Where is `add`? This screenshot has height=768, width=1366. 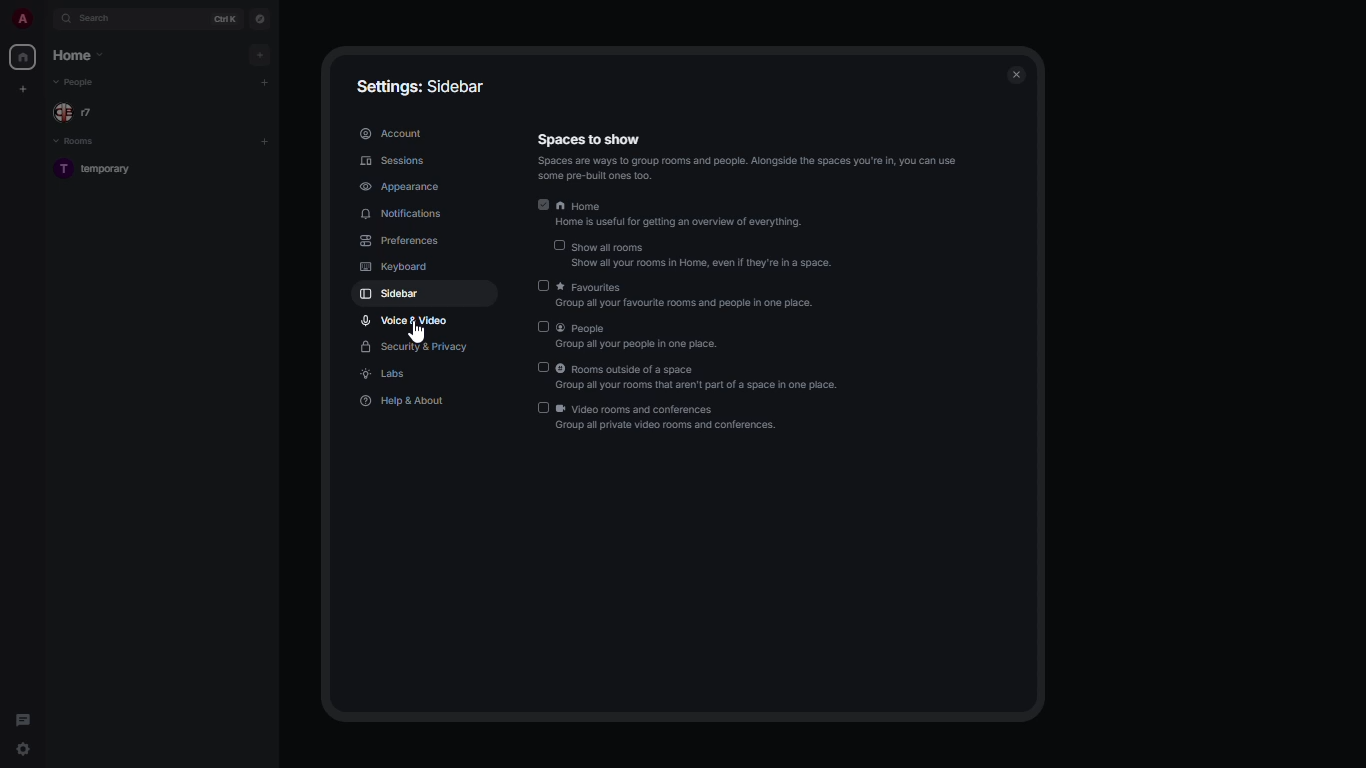
add is located at coordinates (266, 81).